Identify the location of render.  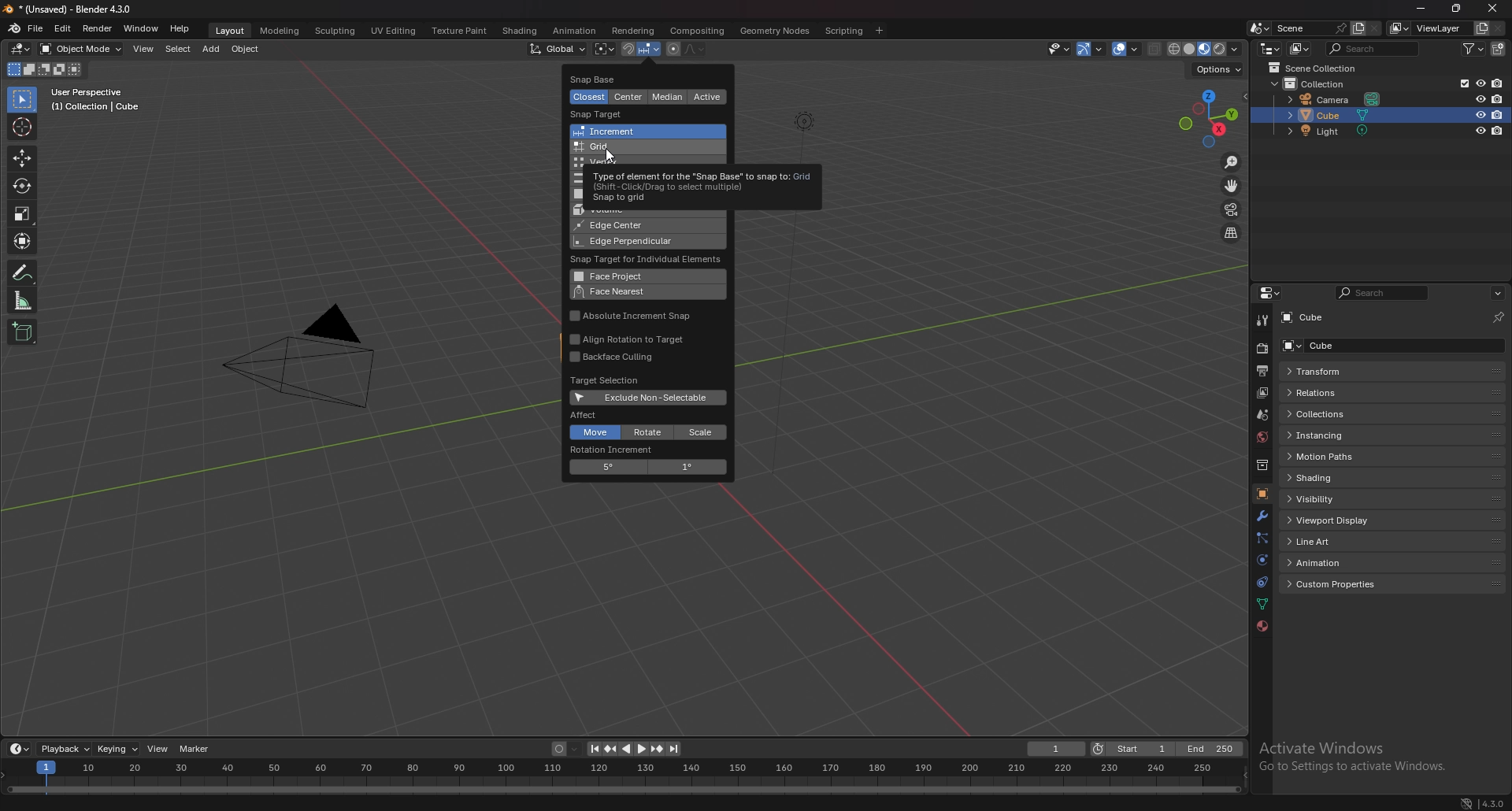
(97, 29).